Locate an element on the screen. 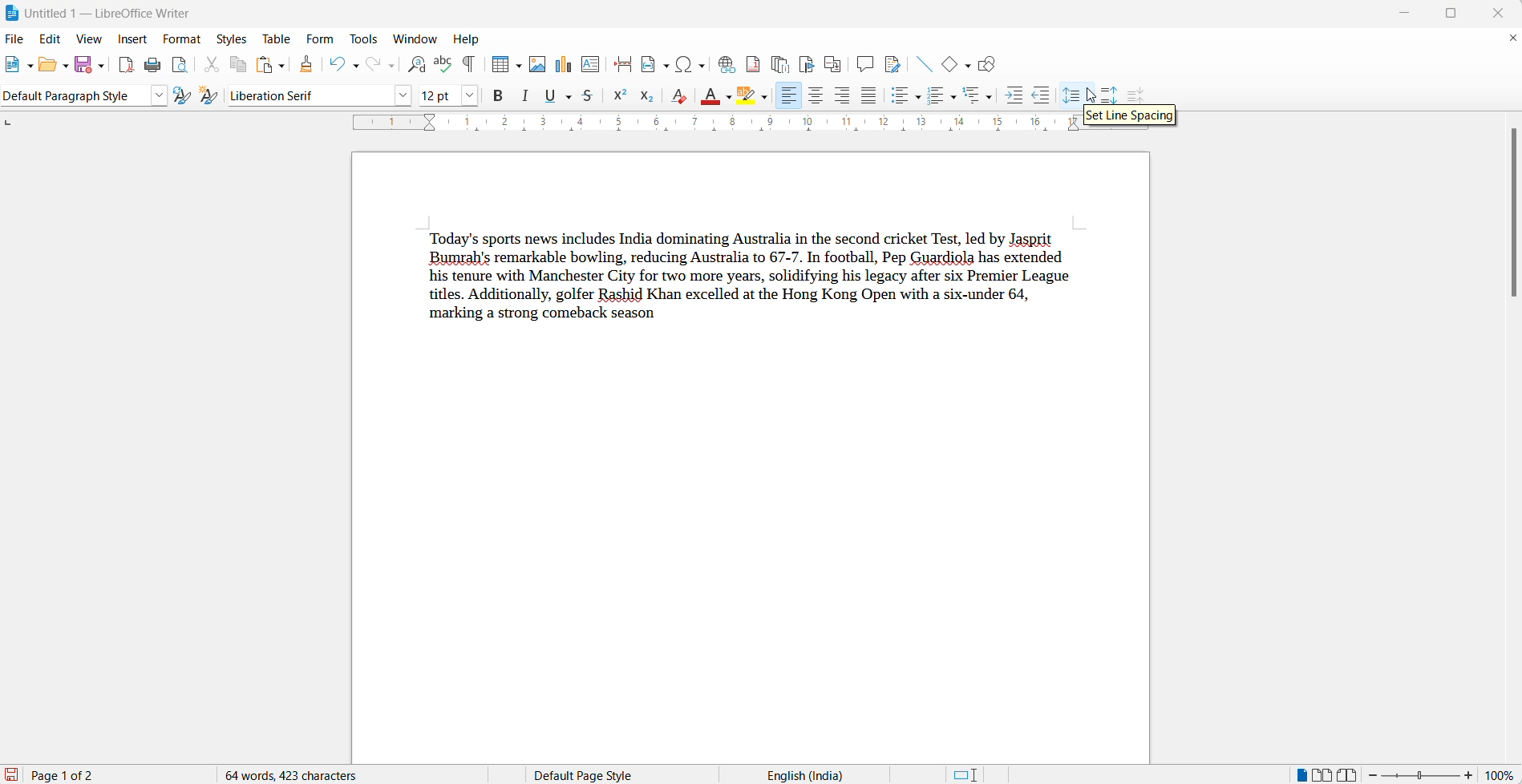  format is located at coordinates (184, 37).